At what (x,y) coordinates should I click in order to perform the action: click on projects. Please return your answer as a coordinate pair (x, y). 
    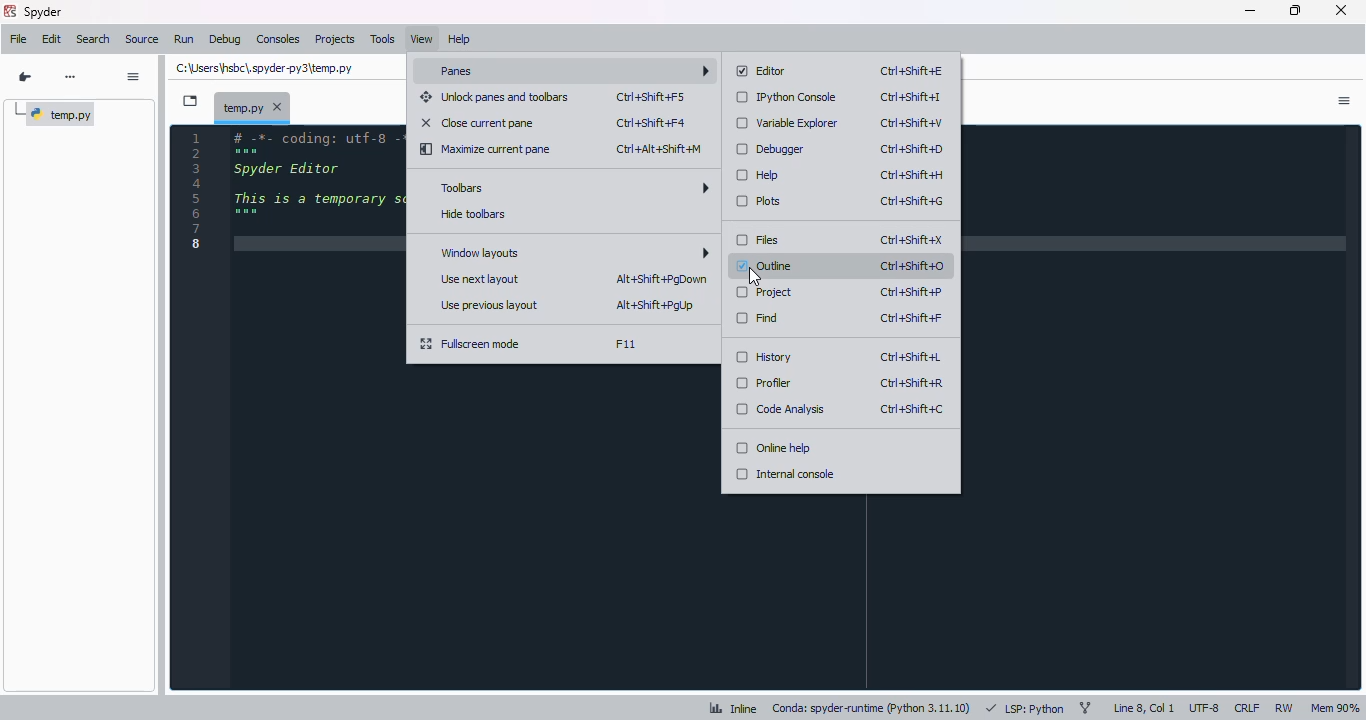
    Looking at the image, I should click on (335, 39).